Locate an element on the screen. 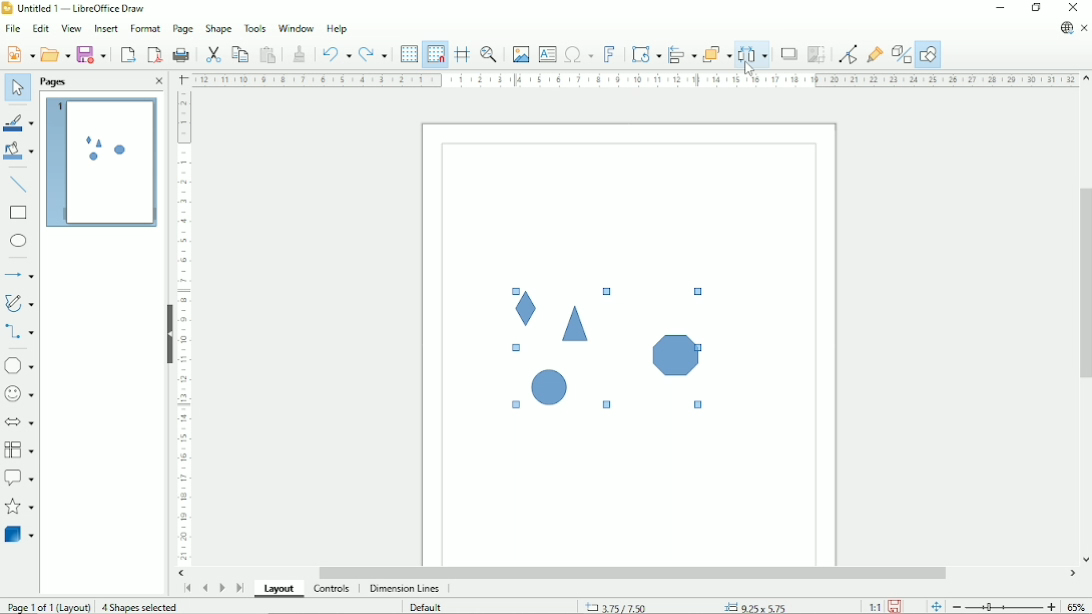  Paste is located at coordinates (268, 54).